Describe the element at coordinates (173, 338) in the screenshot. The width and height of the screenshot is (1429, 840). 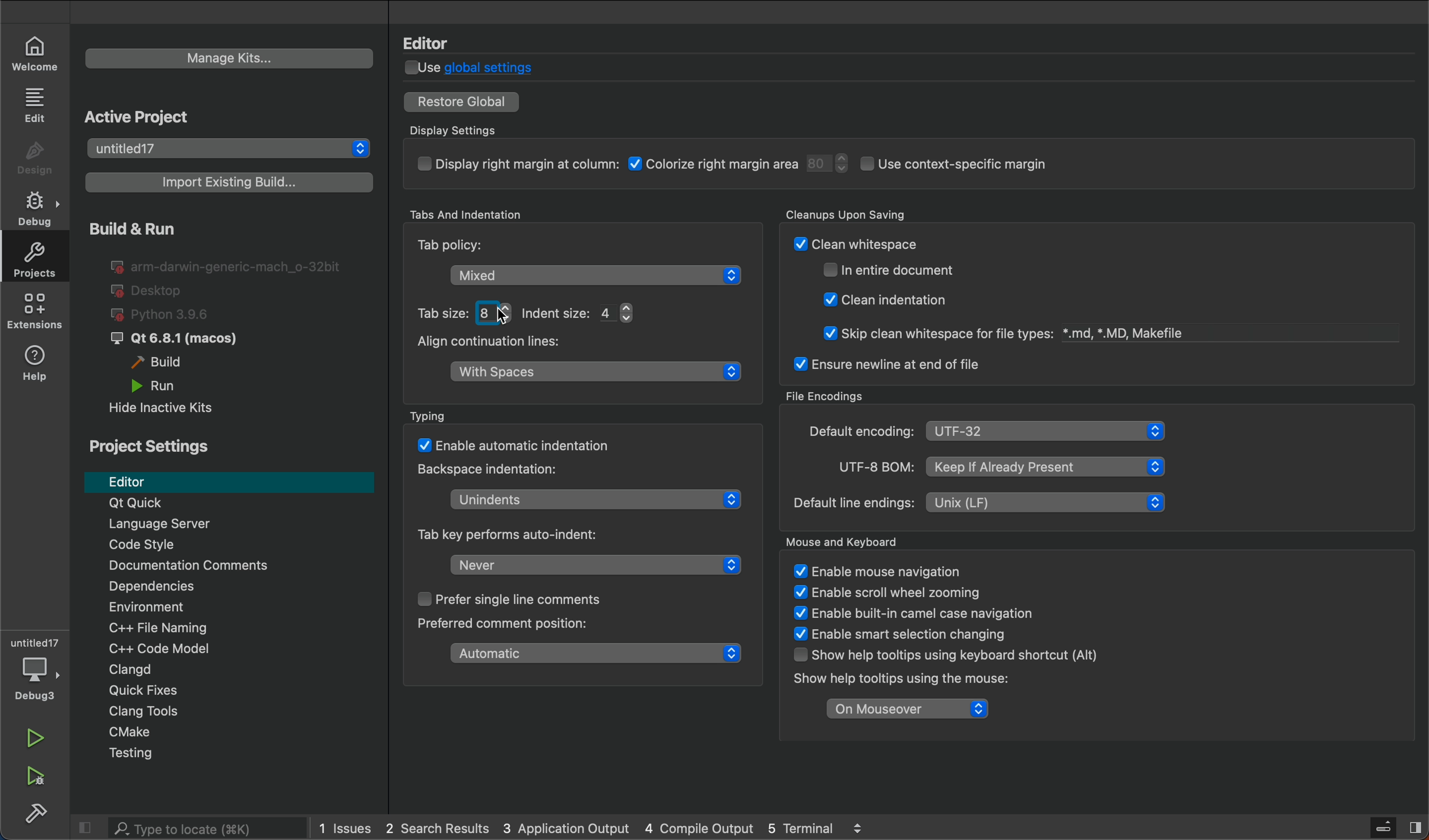
I see `qt6.8.1 macos` at that location.